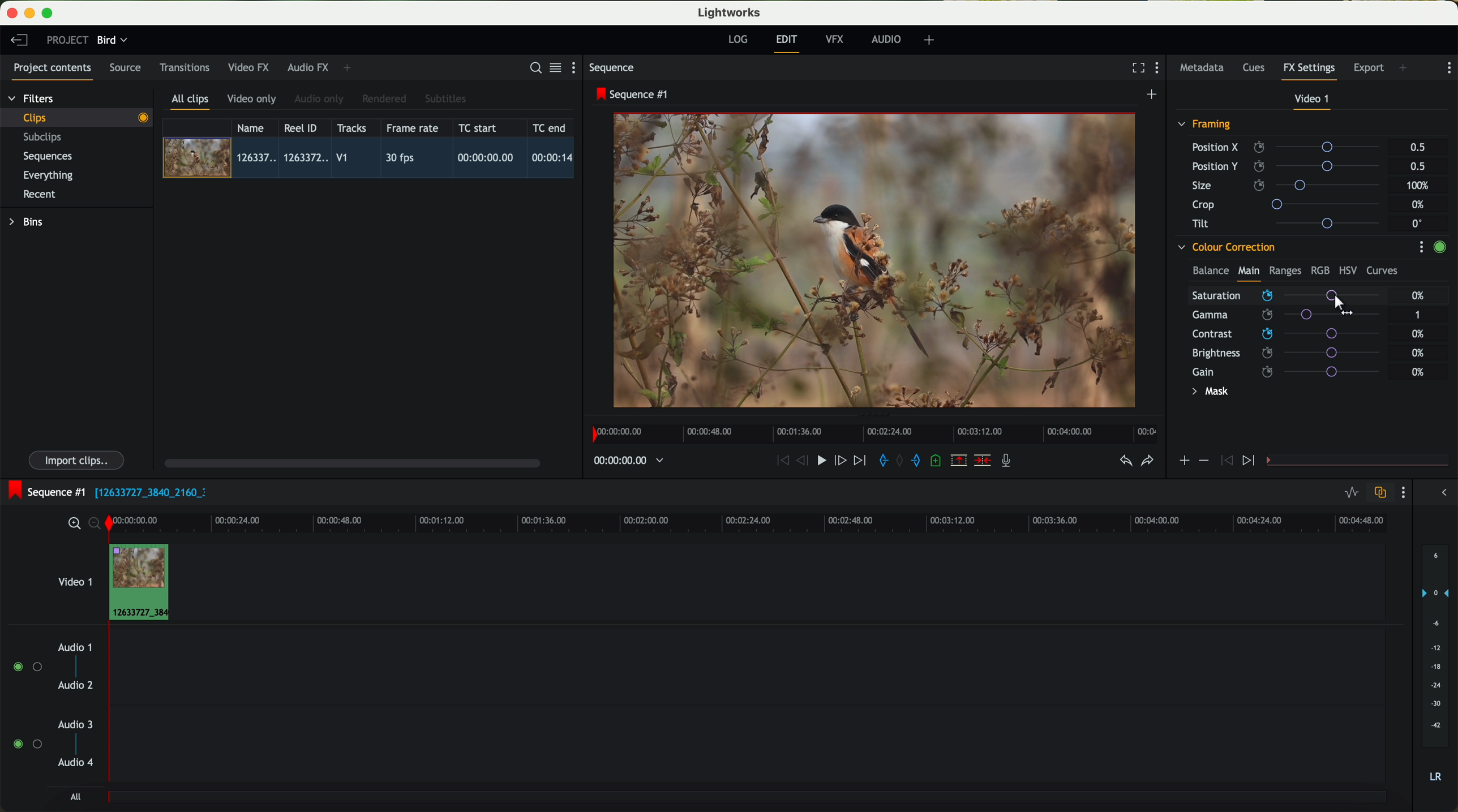 This screenshot has height=812, width=1458. I want to click on move foward, so click(859, 461).